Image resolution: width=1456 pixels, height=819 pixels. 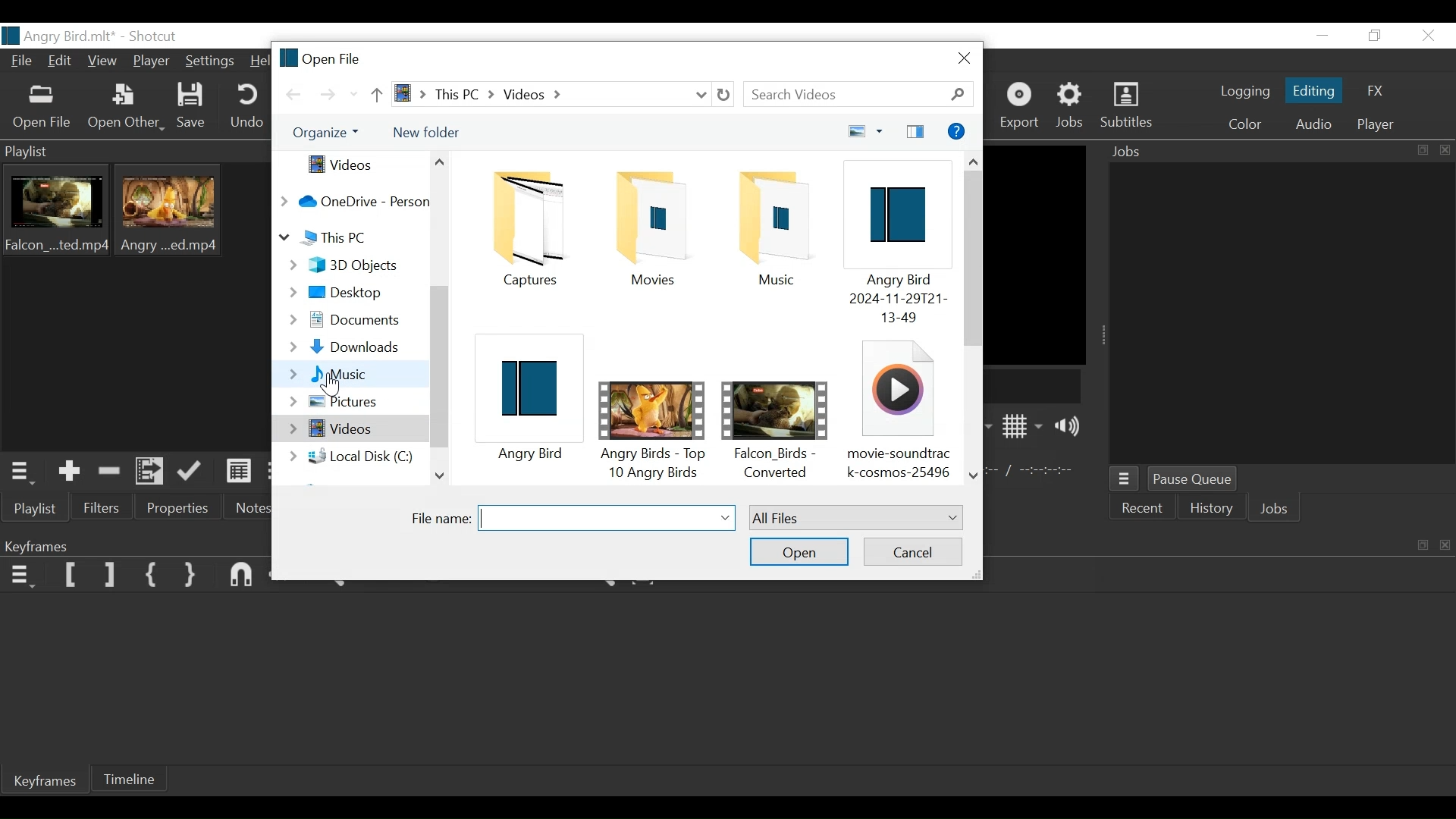 What do you see at coordinates (1240, 93) in the screenshot?
I see `logging` at bounding box center [1240, 93].